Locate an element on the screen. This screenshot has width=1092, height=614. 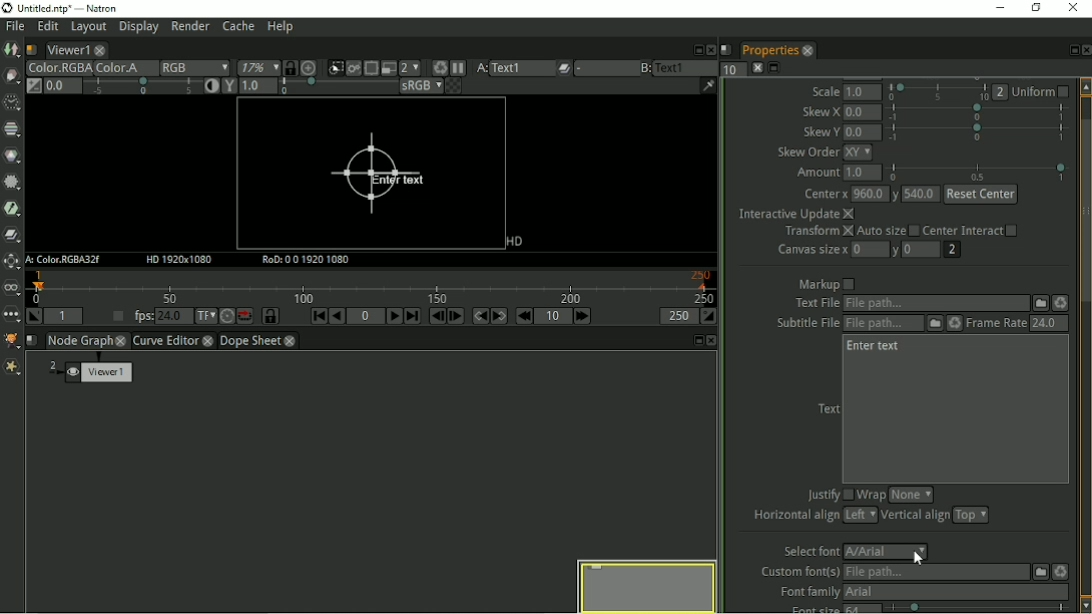
Operations applied between A and B is located at coordinates (564, 68).